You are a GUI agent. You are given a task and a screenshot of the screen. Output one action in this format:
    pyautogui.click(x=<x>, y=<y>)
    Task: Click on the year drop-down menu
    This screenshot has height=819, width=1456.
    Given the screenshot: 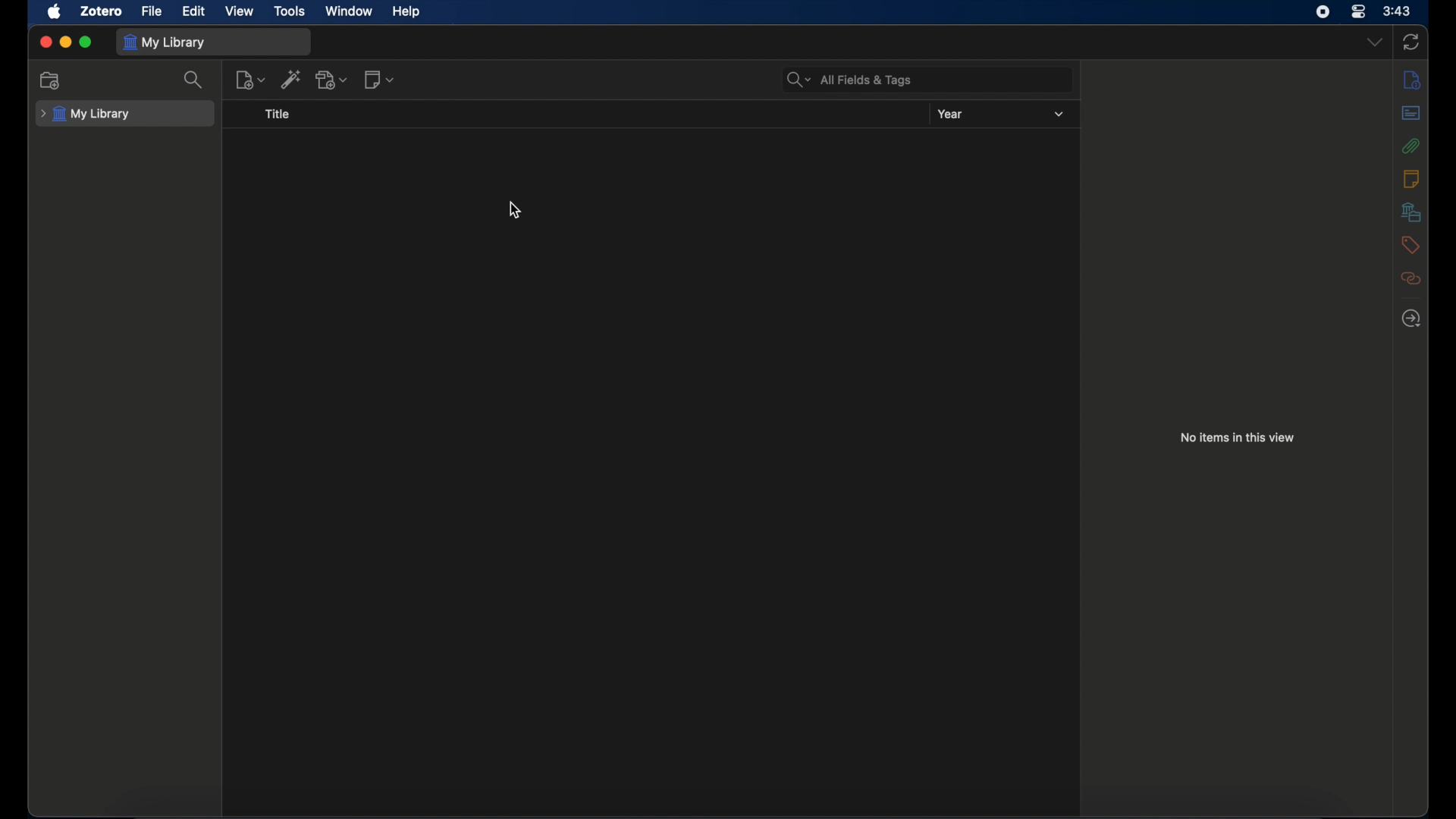 What is the action you would take?
    pyautogui.click(x=1059, y=115)
    